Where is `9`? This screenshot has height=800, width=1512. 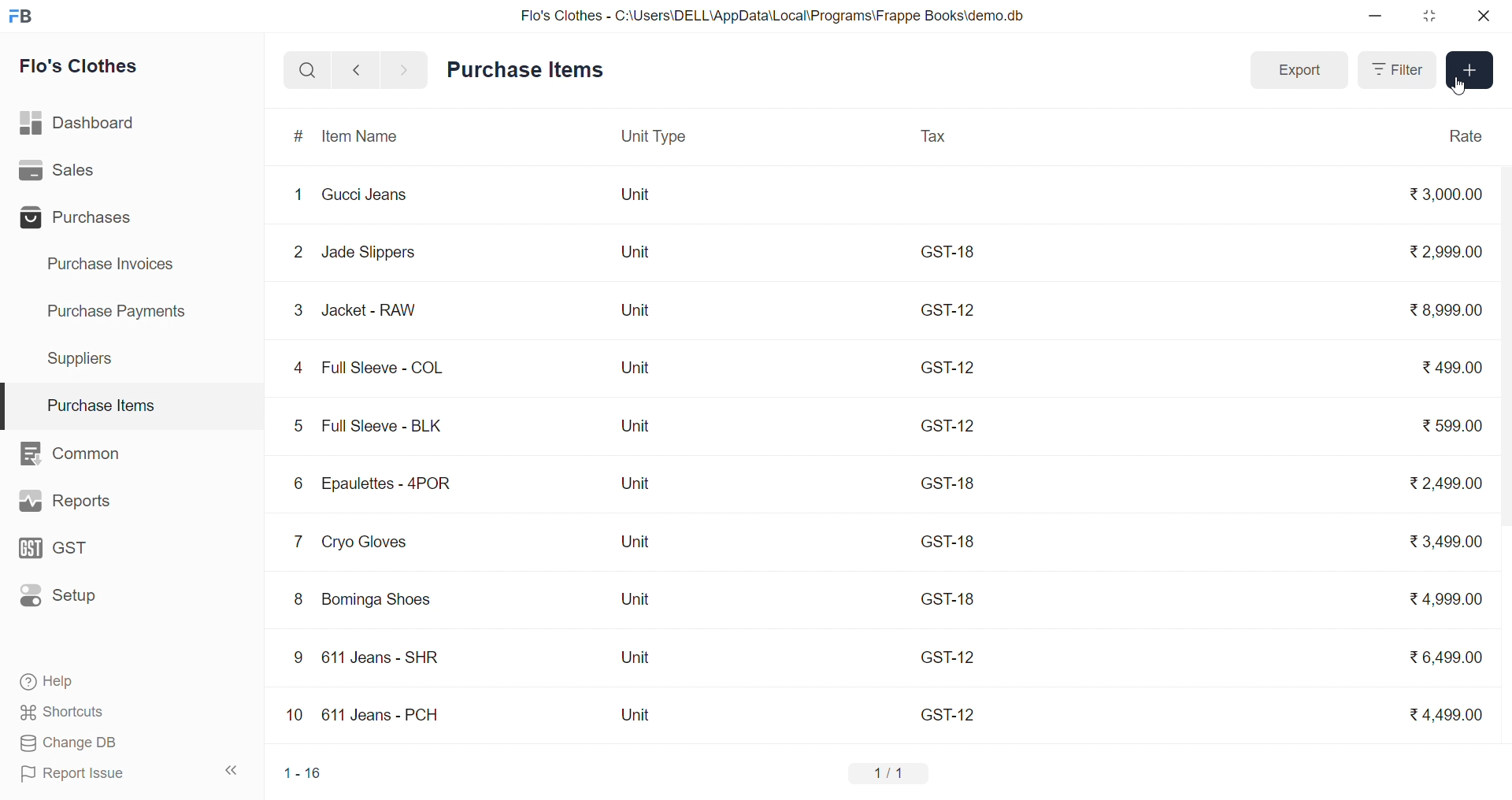
9 is located at coordinates (298, 659).